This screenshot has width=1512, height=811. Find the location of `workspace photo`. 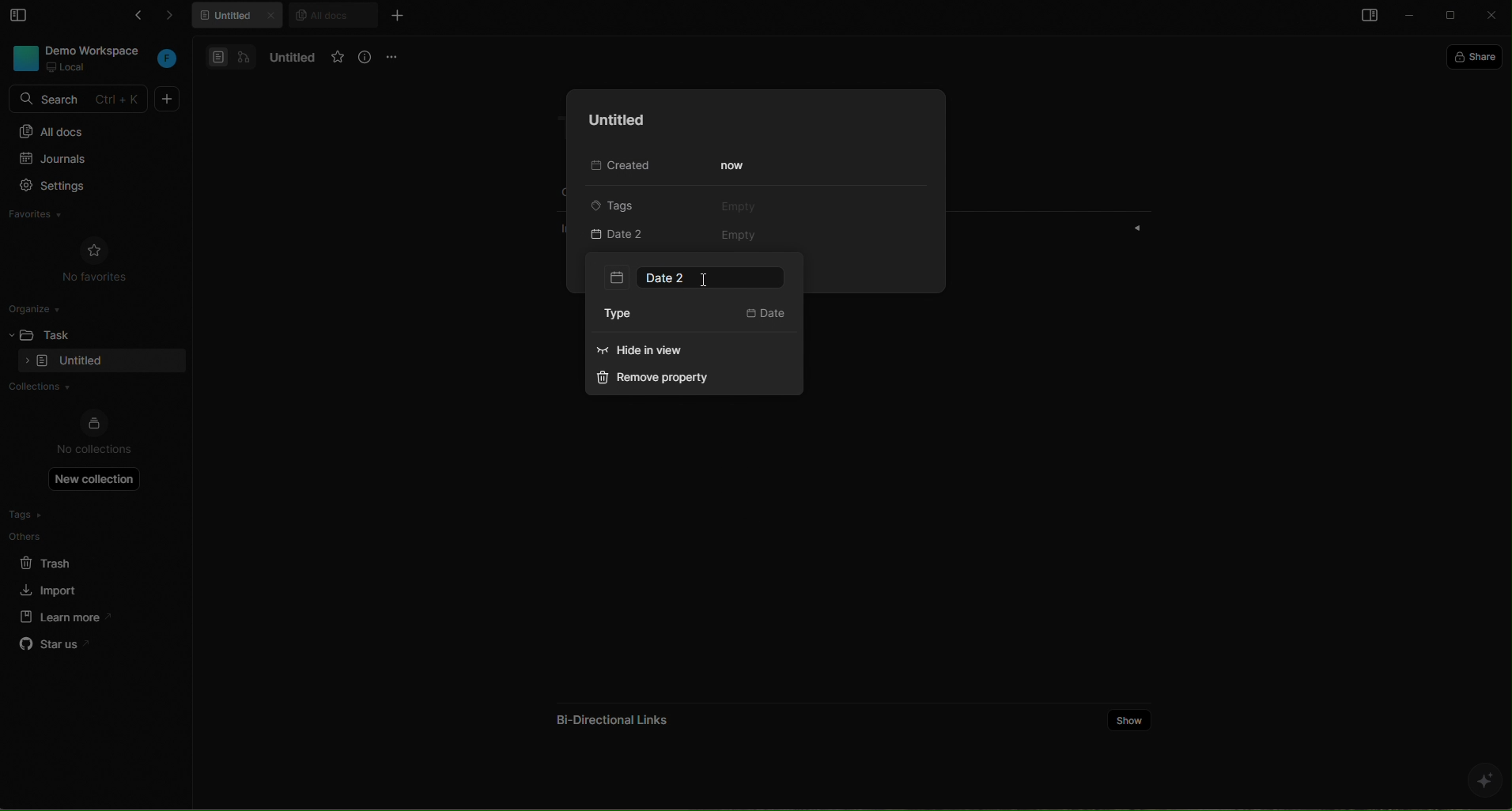

workspace photo is located at coordinates (24, 57).